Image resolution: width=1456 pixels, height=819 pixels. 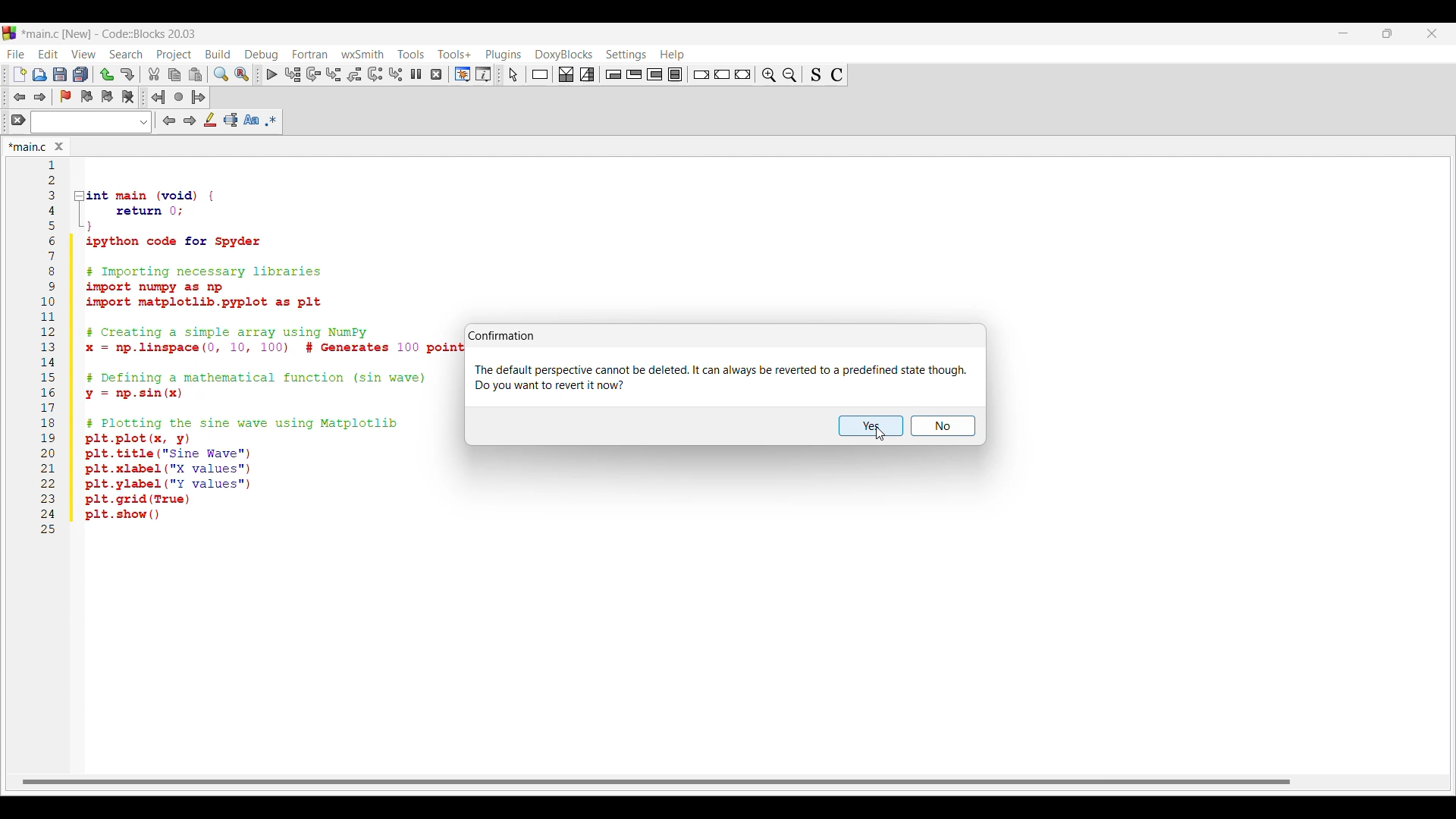 What do you see at coordinates (262, 55) in the screenshot?
I see `Debug menu` at bounding box center [262, 55].